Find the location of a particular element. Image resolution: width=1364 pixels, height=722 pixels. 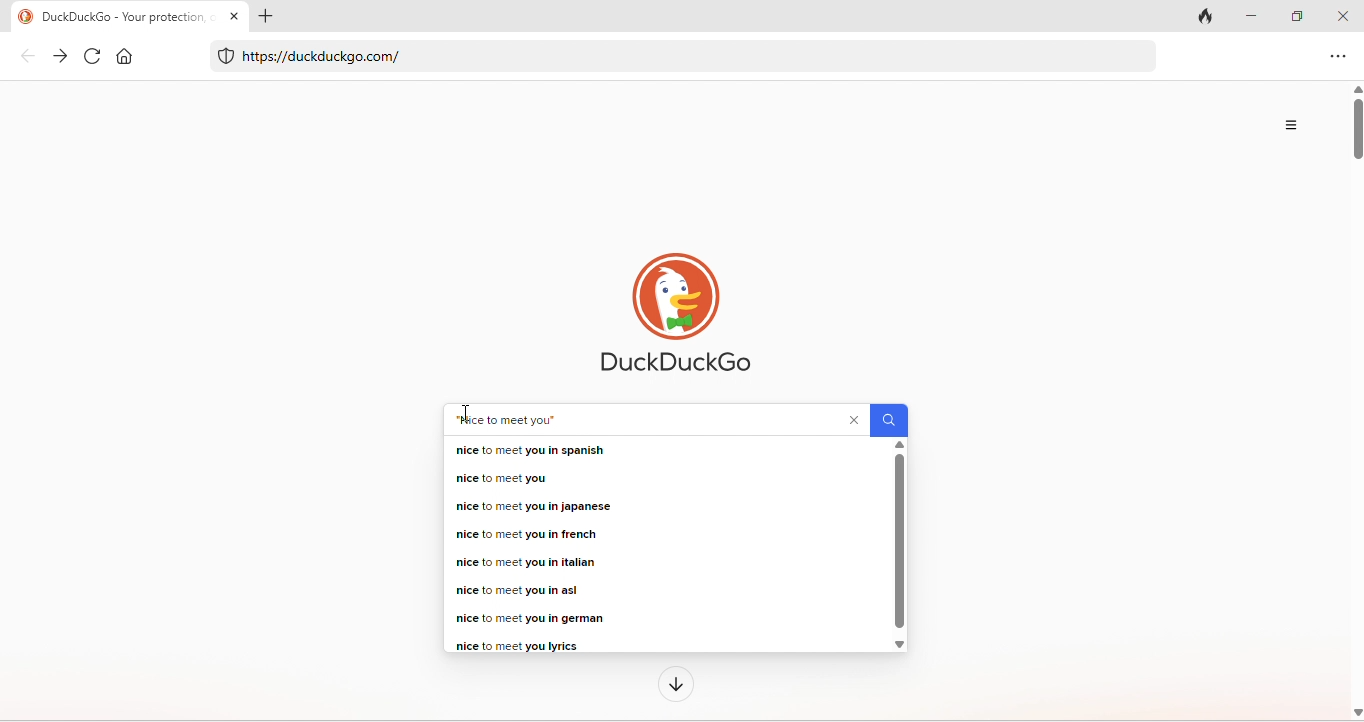

vertical scroll bar is located at coordinates (900, 546).